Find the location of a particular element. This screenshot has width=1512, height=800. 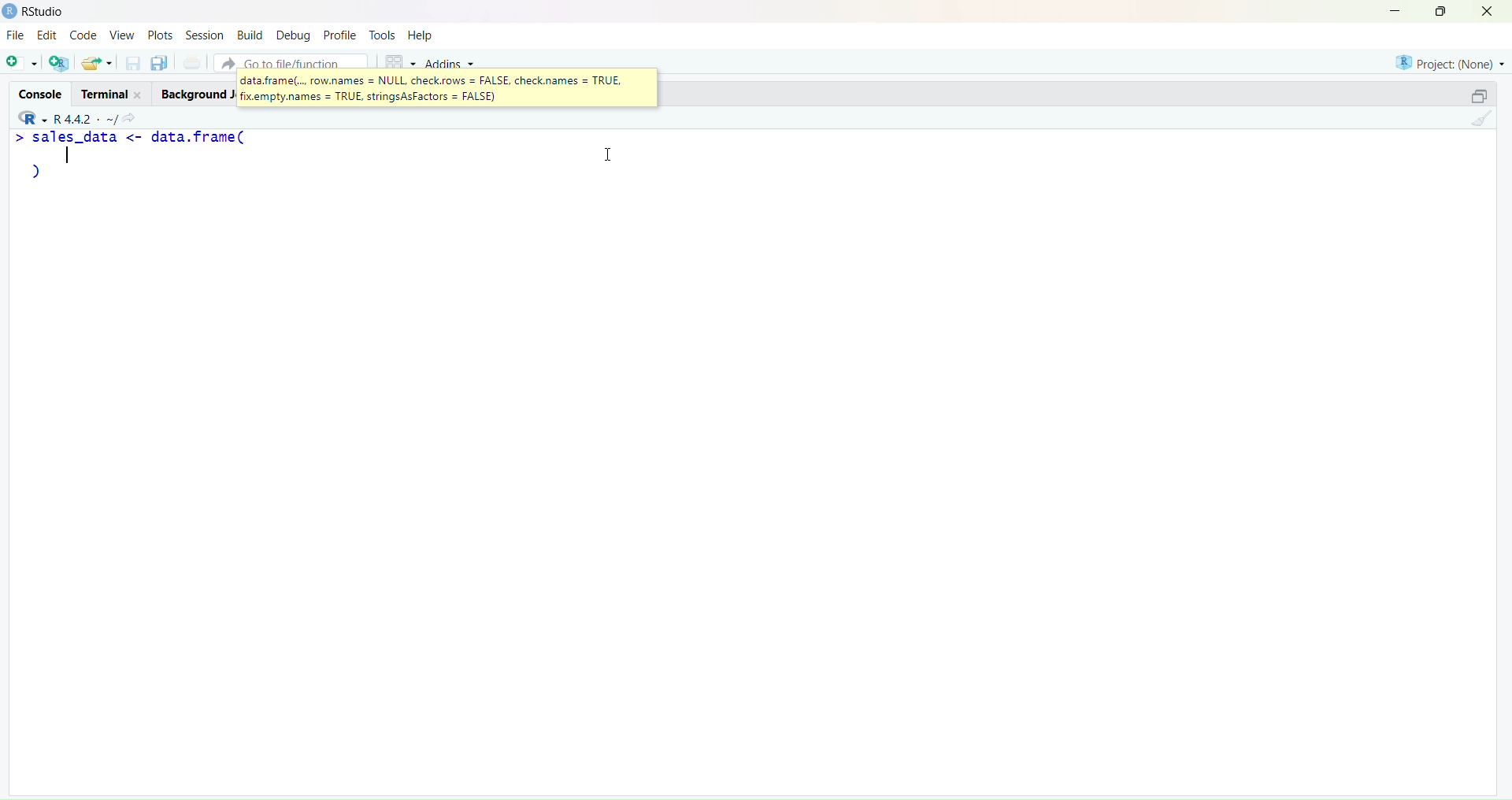

clear is located at coordinates (1485, 122).